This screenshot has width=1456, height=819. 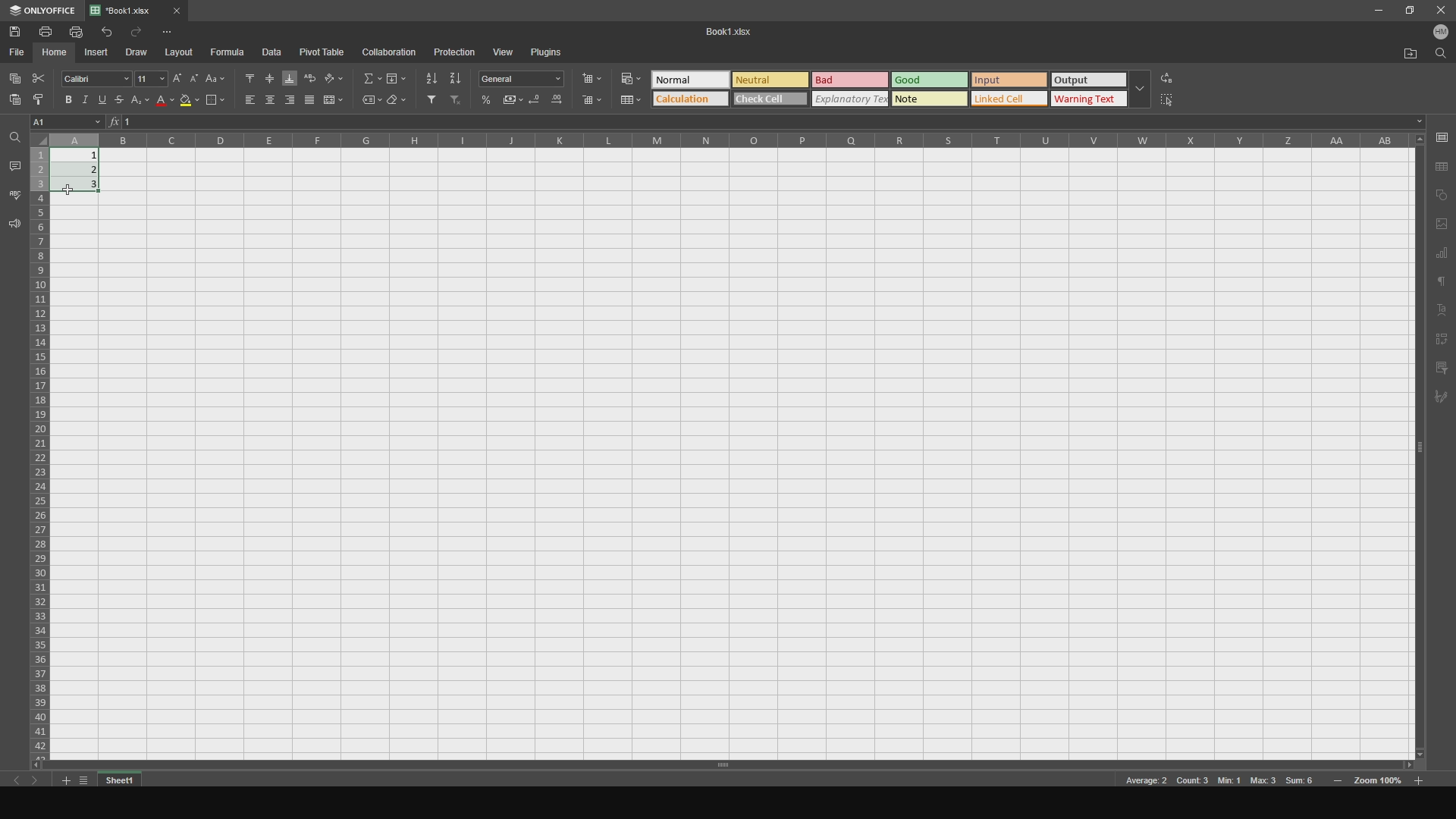 What do you see at coordinates (1442, 255) in the screenshot?
I see `chart` at bounding box center [1442, 255].